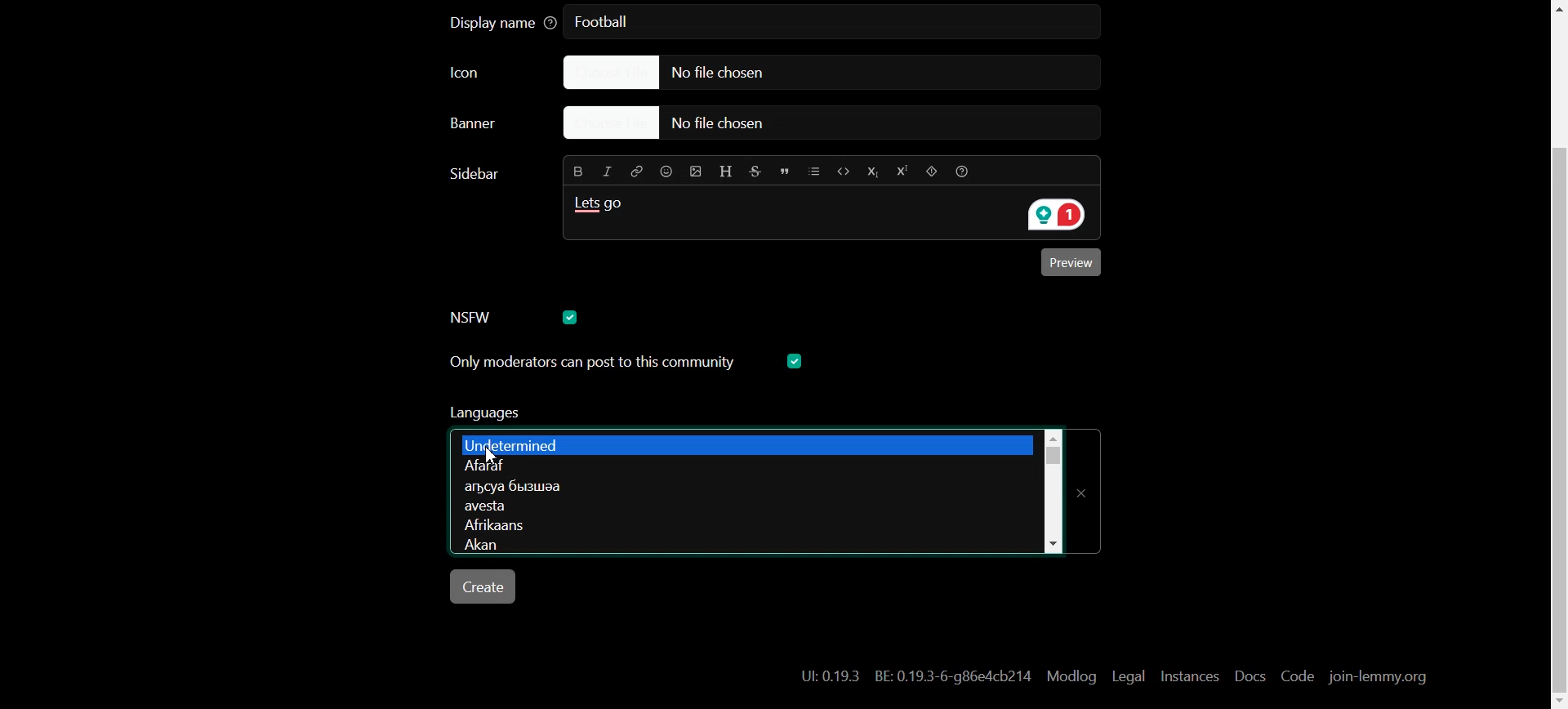 This screenshot has width=1568, height=709. Describe the element at coordinates (492, 127) in the screenshot. I see `Choose Banner` at that location.